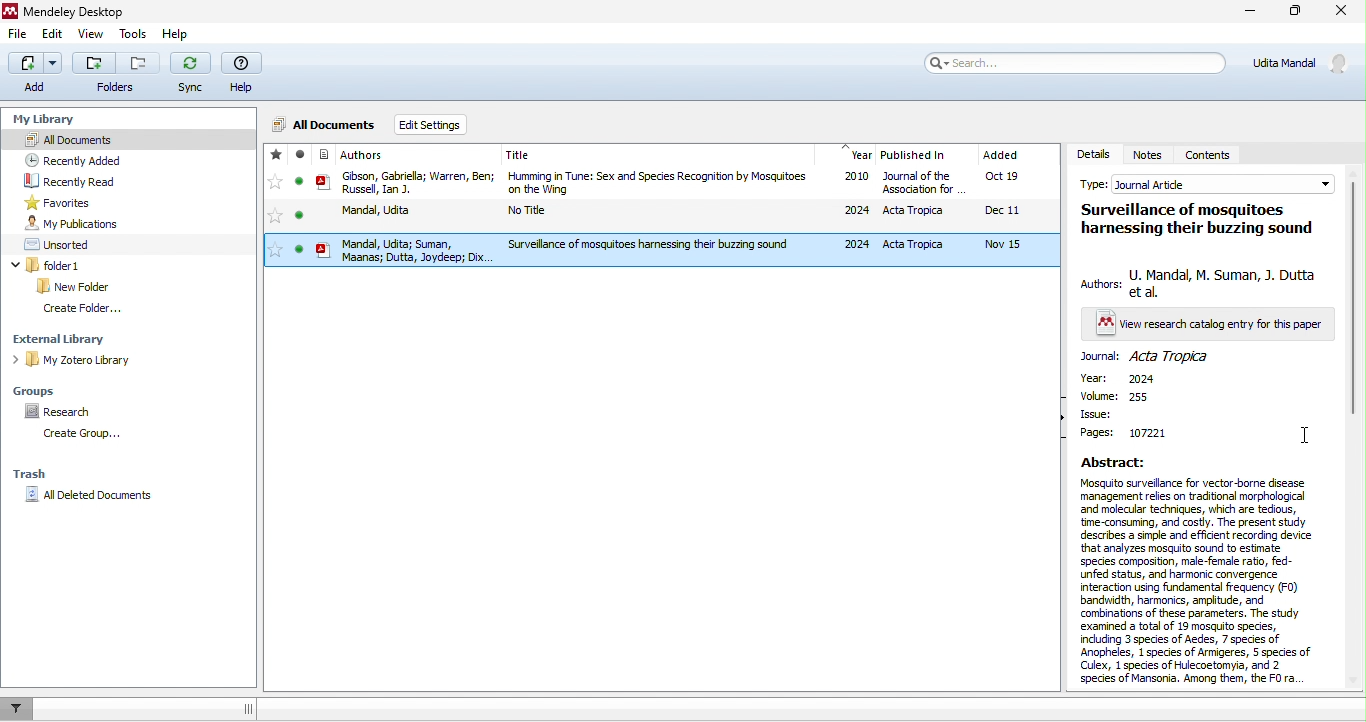  I want to click on folder 1, so click(49, 264).